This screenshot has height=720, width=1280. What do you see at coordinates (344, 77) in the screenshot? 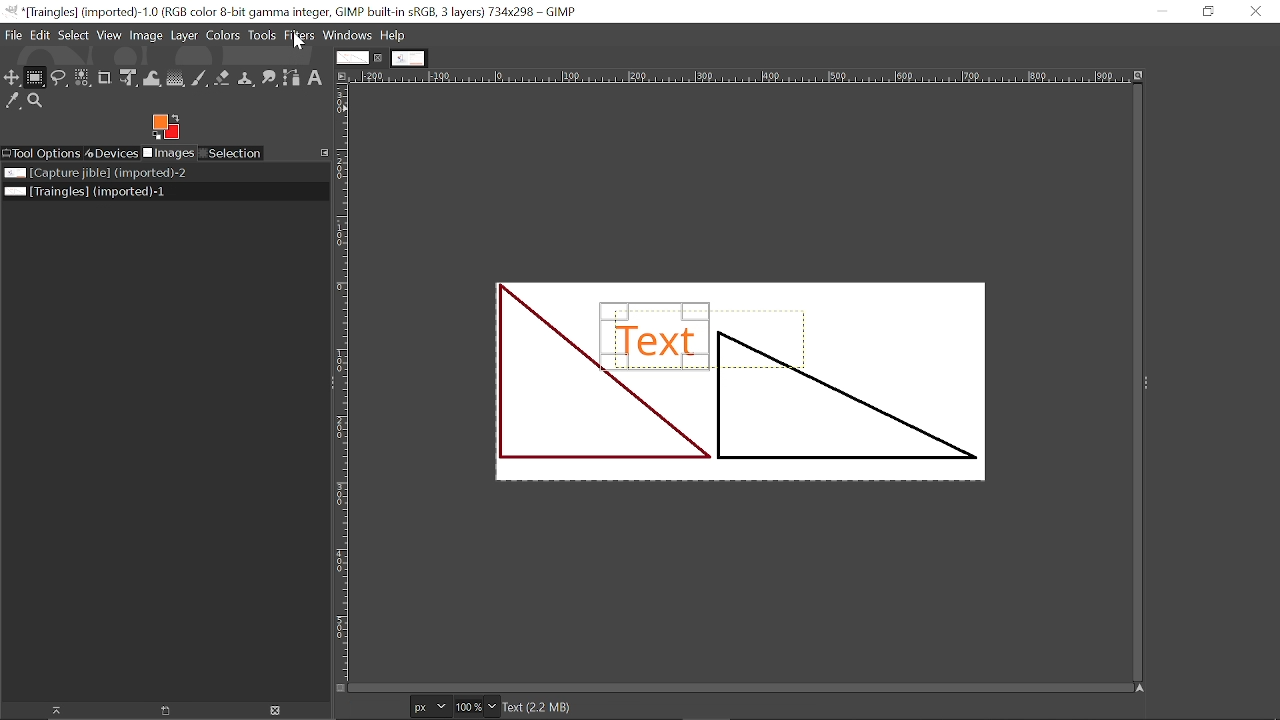
I see `Access this image menu` at bounding box center [344, 77].